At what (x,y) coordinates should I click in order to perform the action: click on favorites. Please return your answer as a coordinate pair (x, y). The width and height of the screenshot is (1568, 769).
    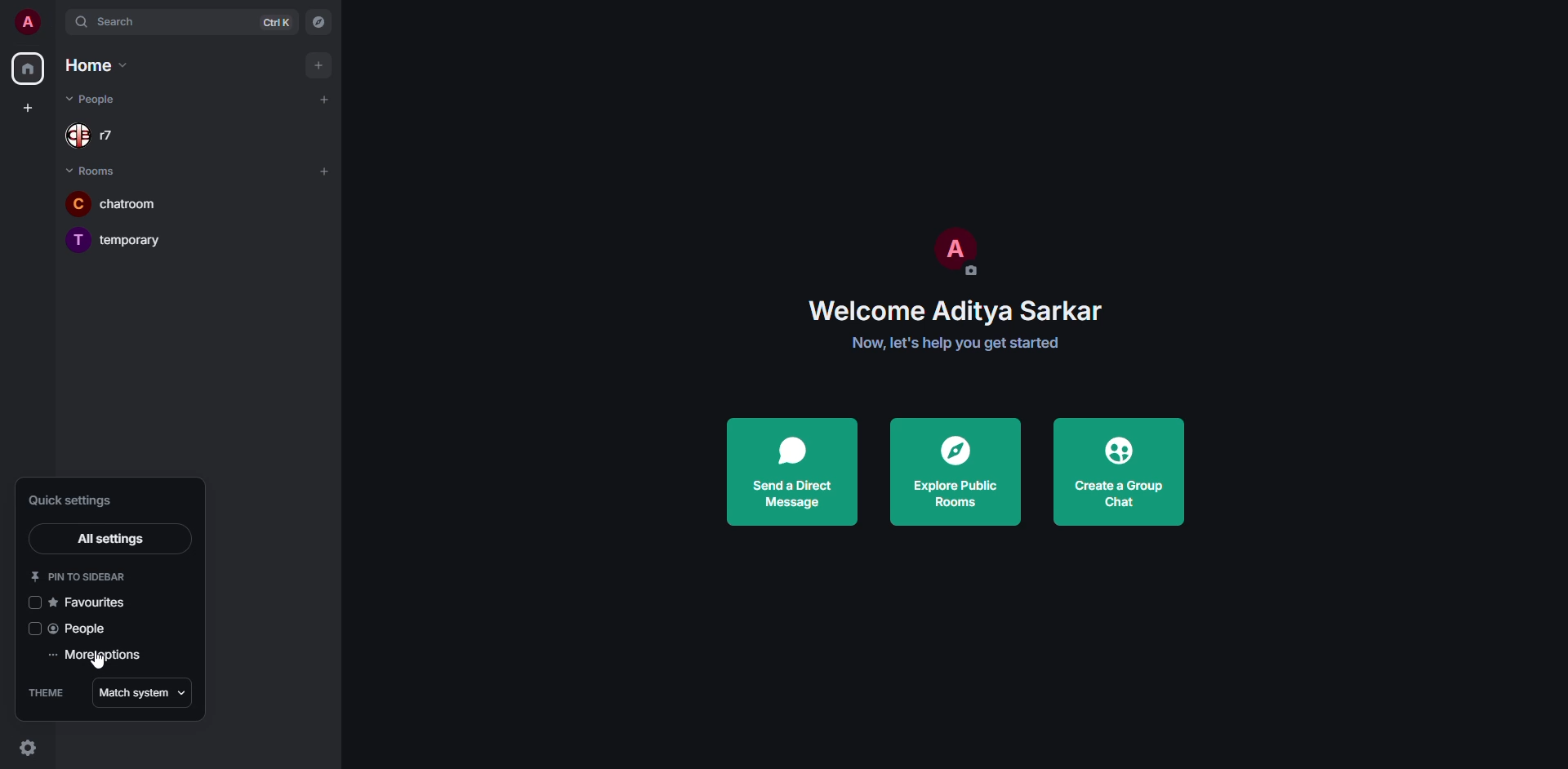
    Looking at the image, I should click on (93, 600).